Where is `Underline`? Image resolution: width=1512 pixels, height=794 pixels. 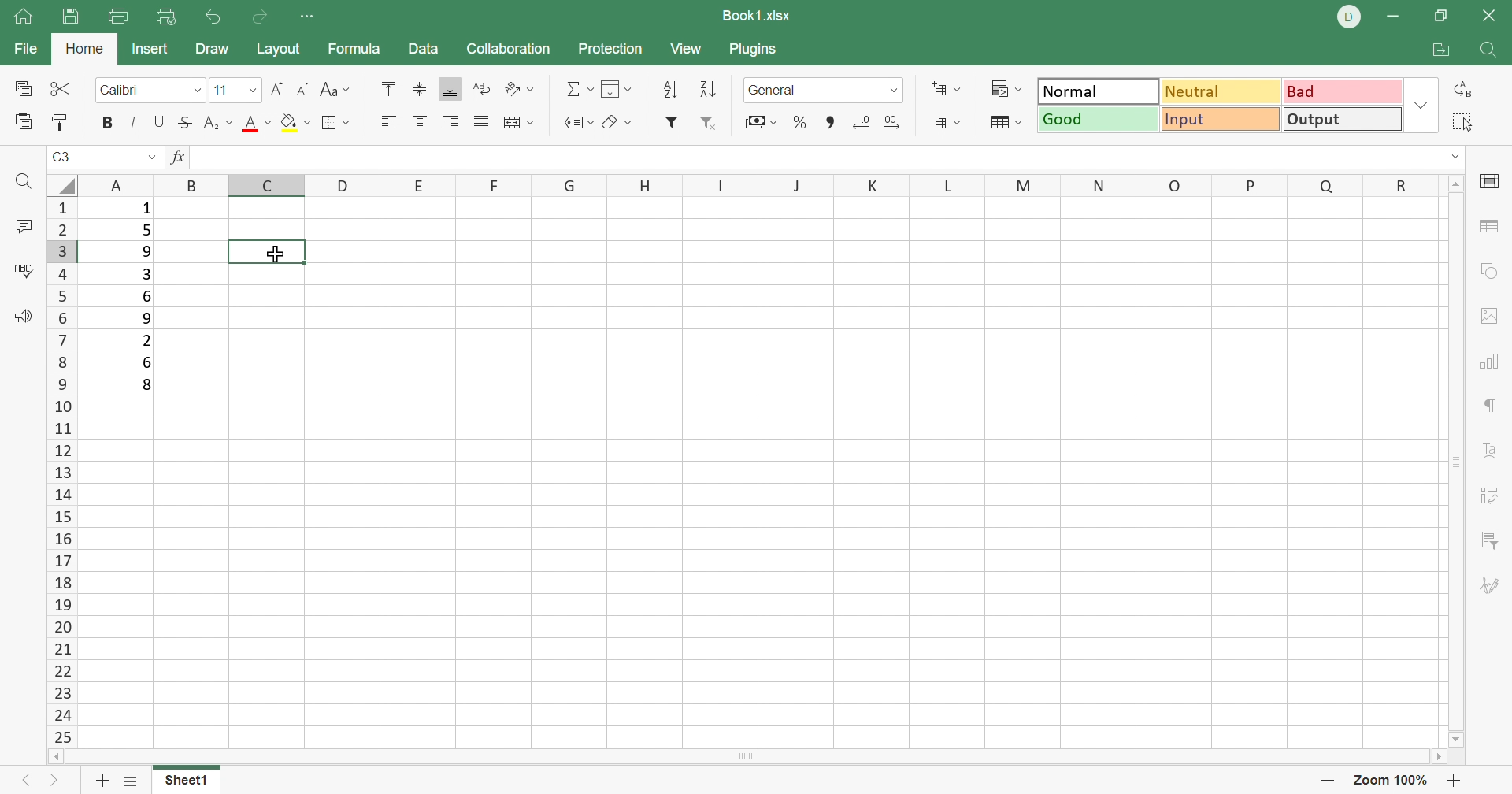 Underline is located at coordinates (158, 123).